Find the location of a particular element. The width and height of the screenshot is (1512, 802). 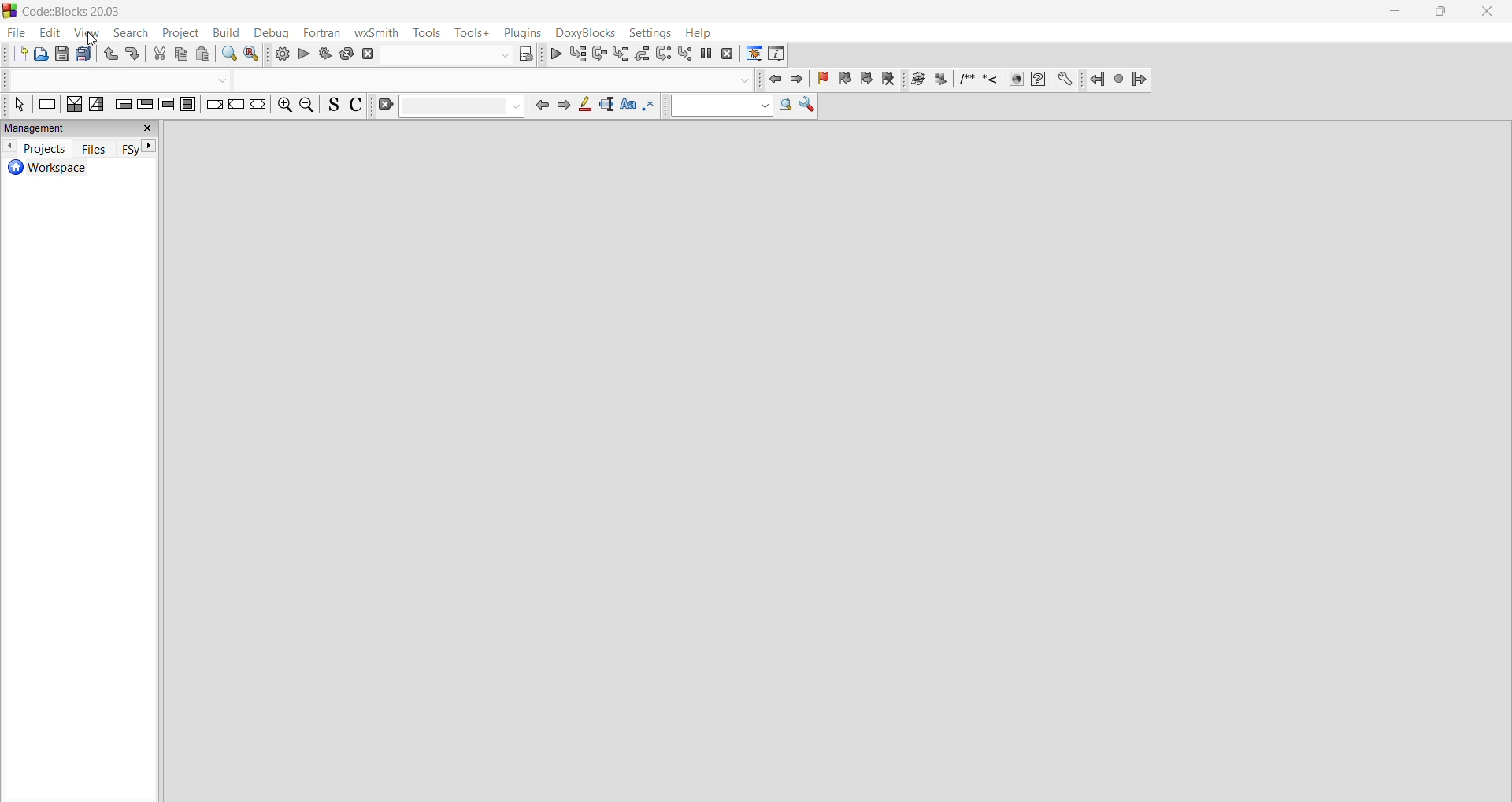

decision is located at coordinates (95, 106).